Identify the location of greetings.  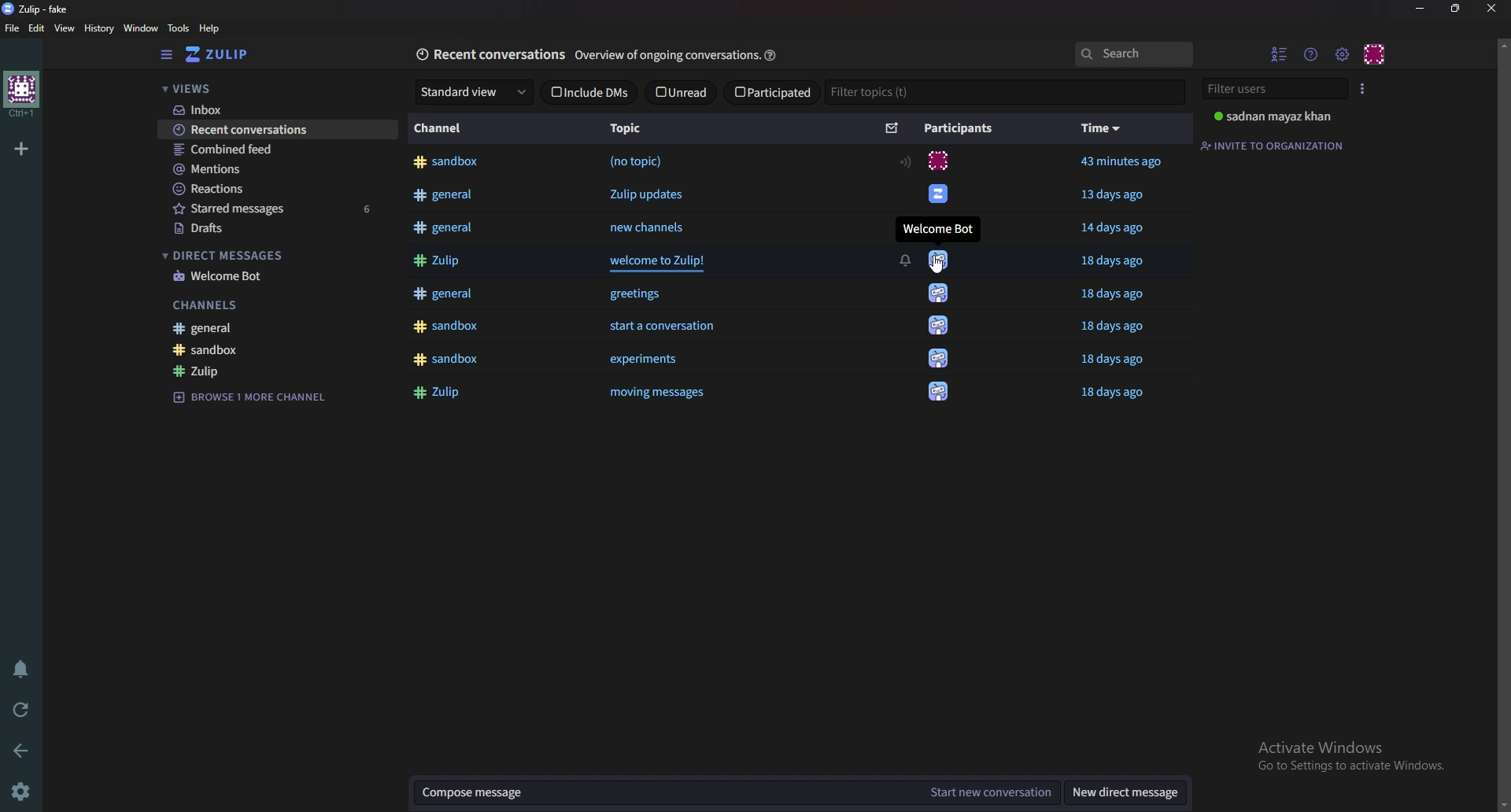
(635, 294).